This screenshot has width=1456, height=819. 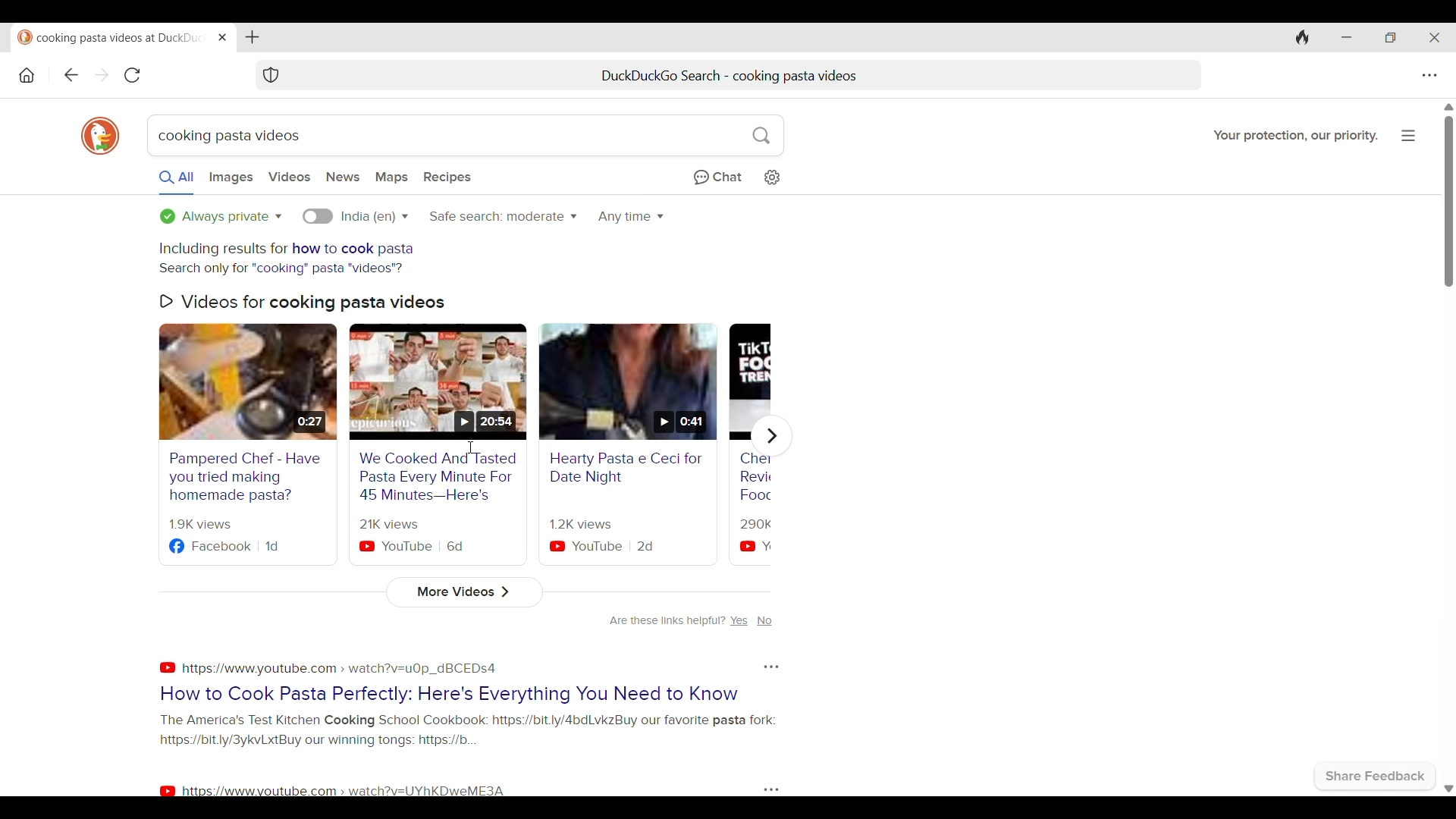 What do you see at coordinates (1429, 75) in the screenshot?
I see `Browser settings` at bounding box center [1429, 75].